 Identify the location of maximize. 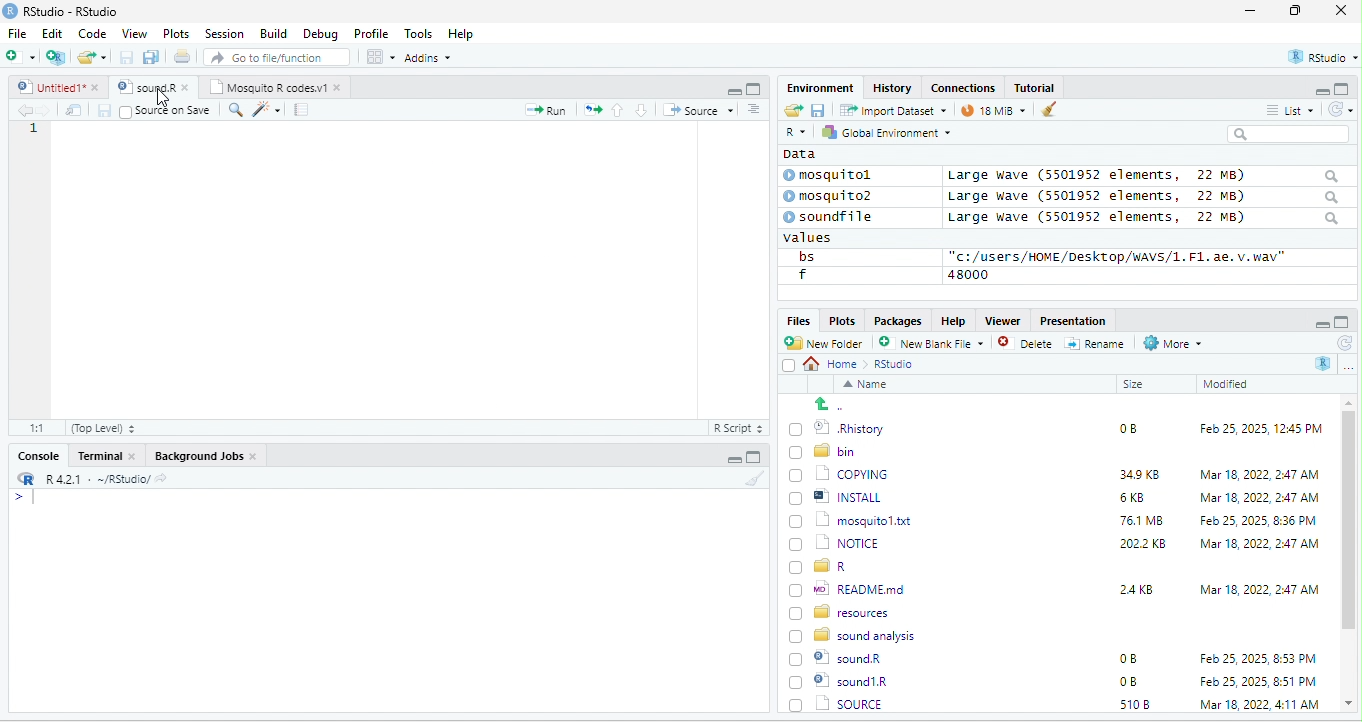
(1344, 88).